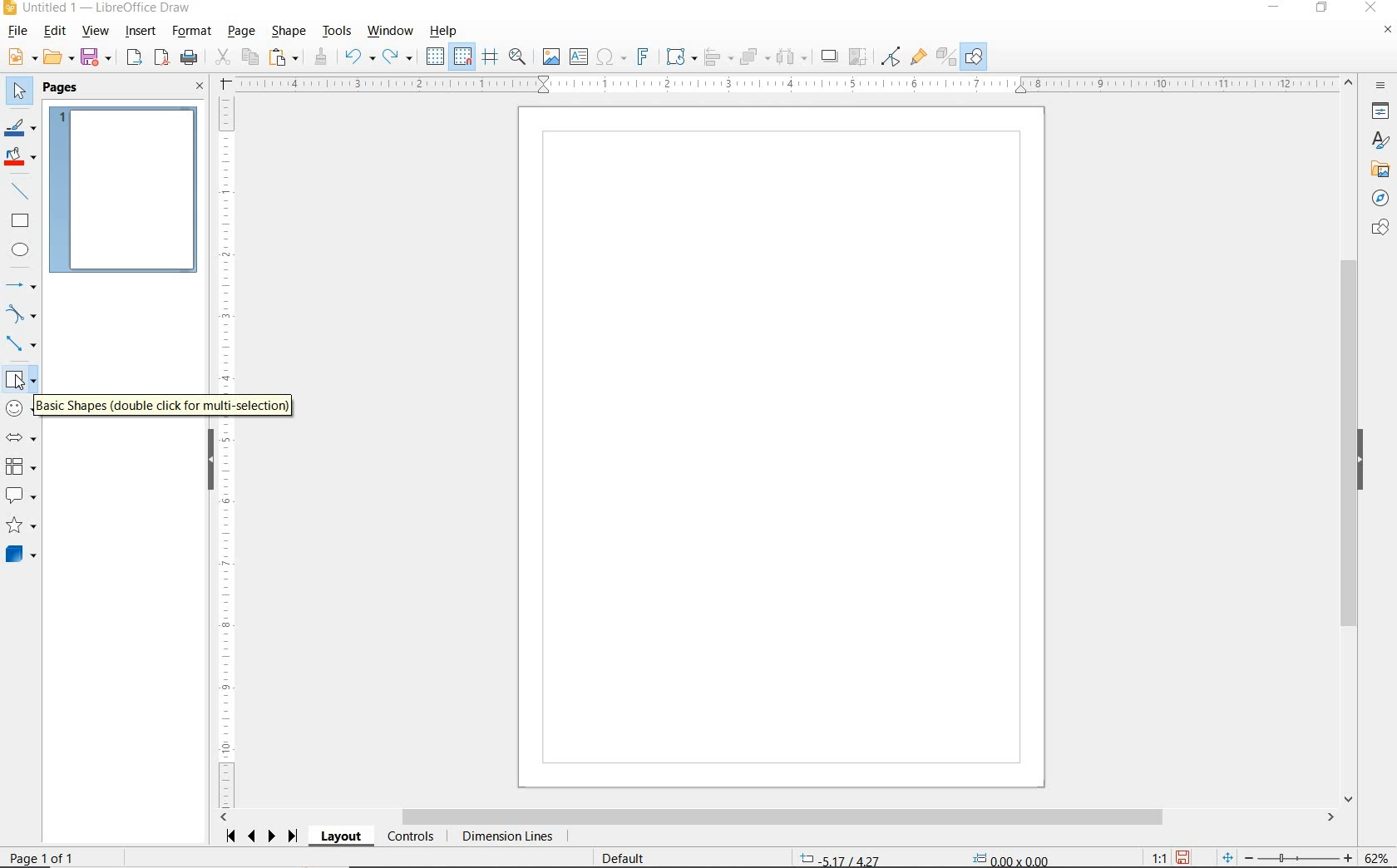 This screenshot has width=1397, height=868. I want to click on FORMAT, so click(192, 32).